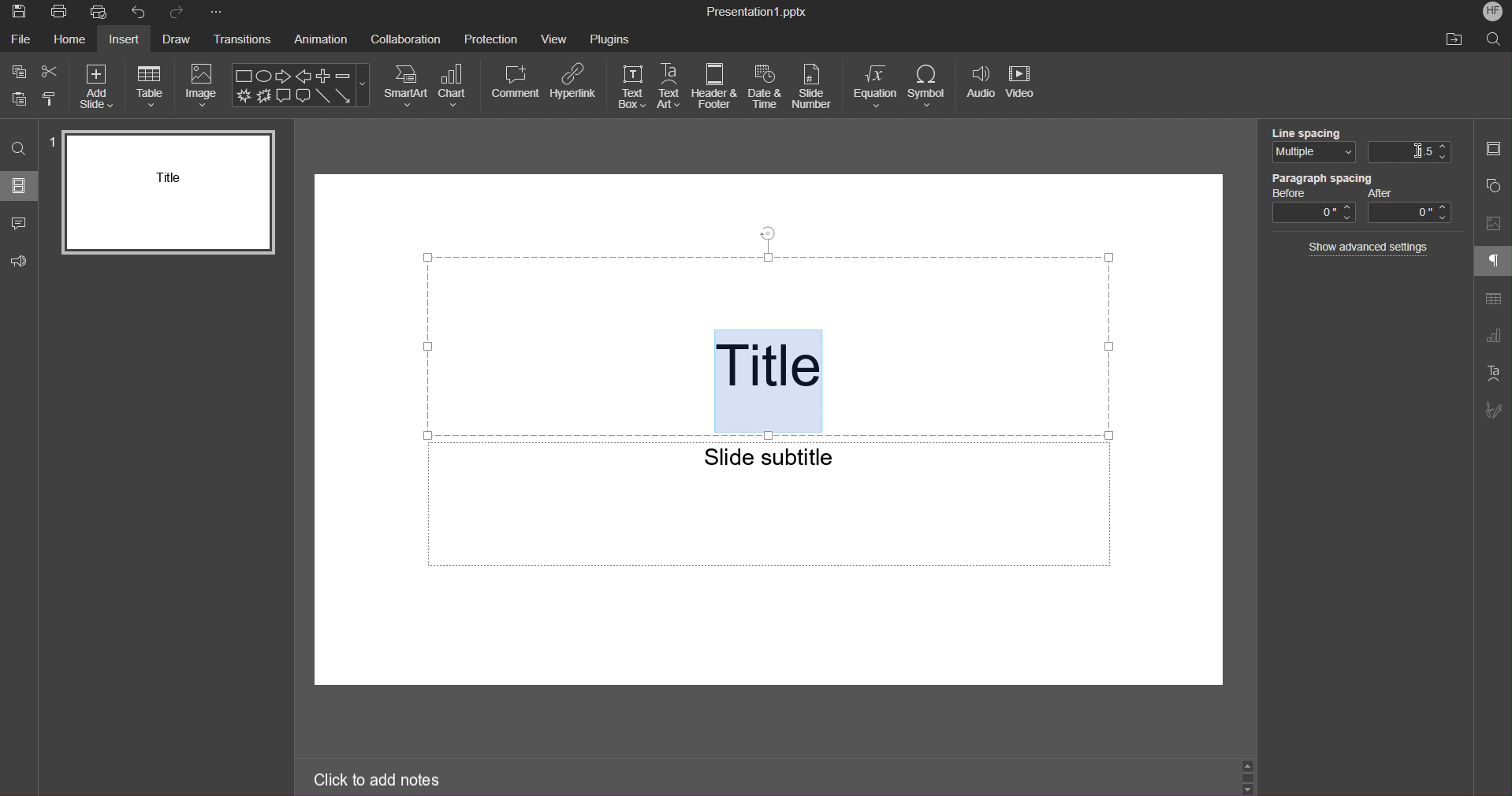 The height and width of the screenshot is (796, 1512). Describe the element at coordinates (19, 222) in the screenshot. I see `Comment` at that location.